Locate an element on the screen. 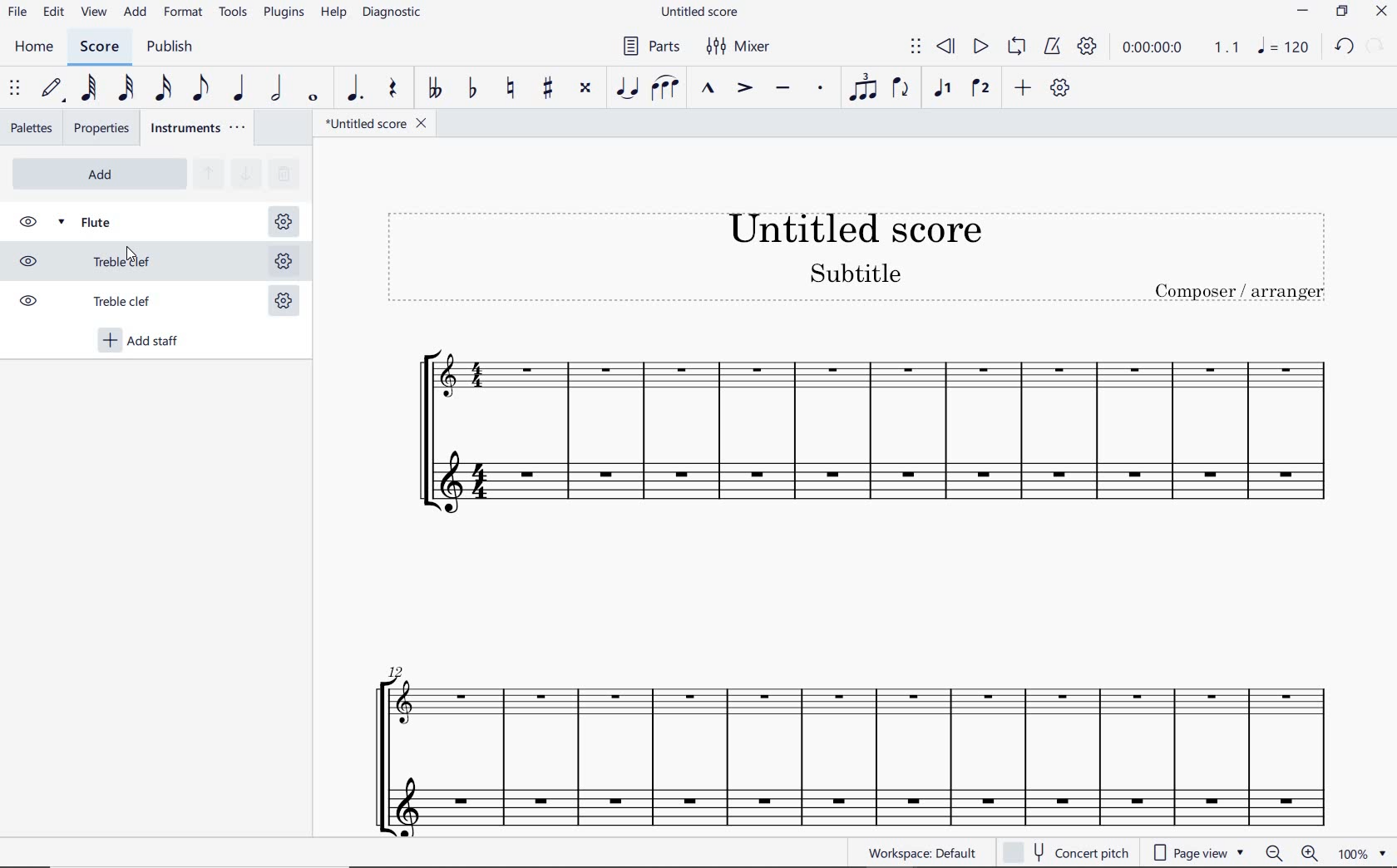 This screenshot has height=868, width=1397. PLAY TIME is located at coordinates (1178, 47).